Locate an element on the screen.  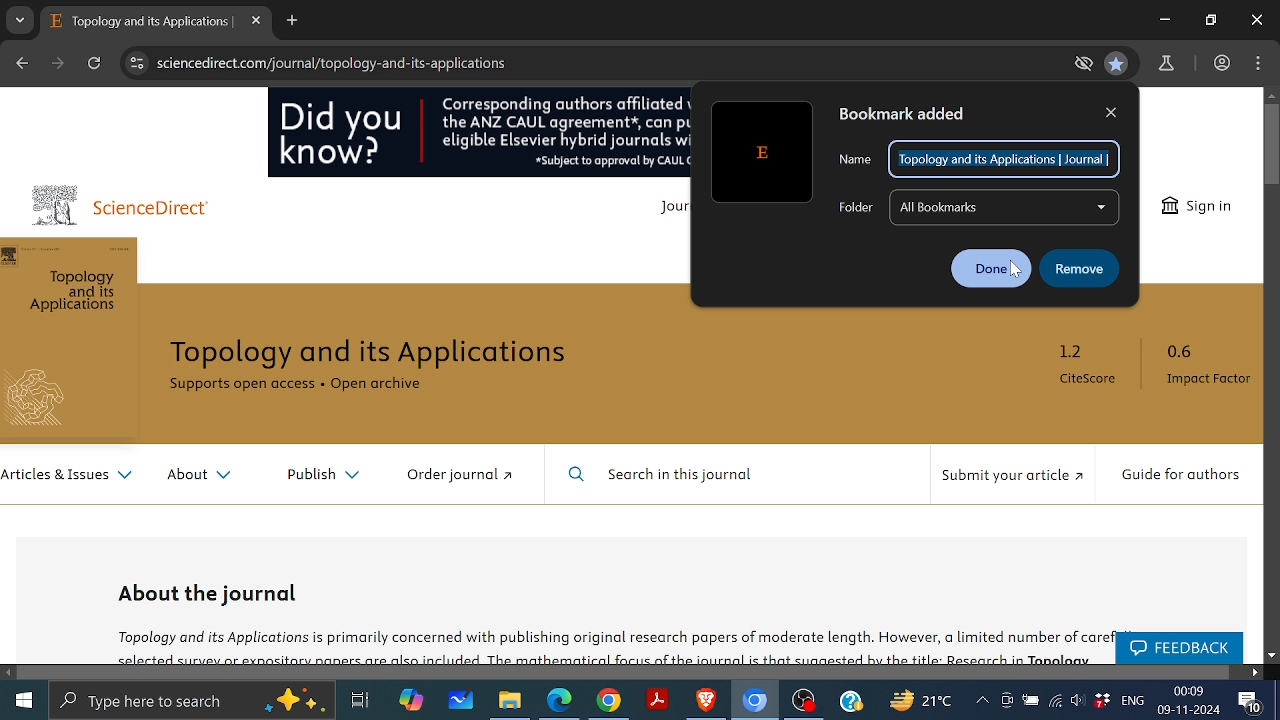
logo is located at coordinates (55, 204).